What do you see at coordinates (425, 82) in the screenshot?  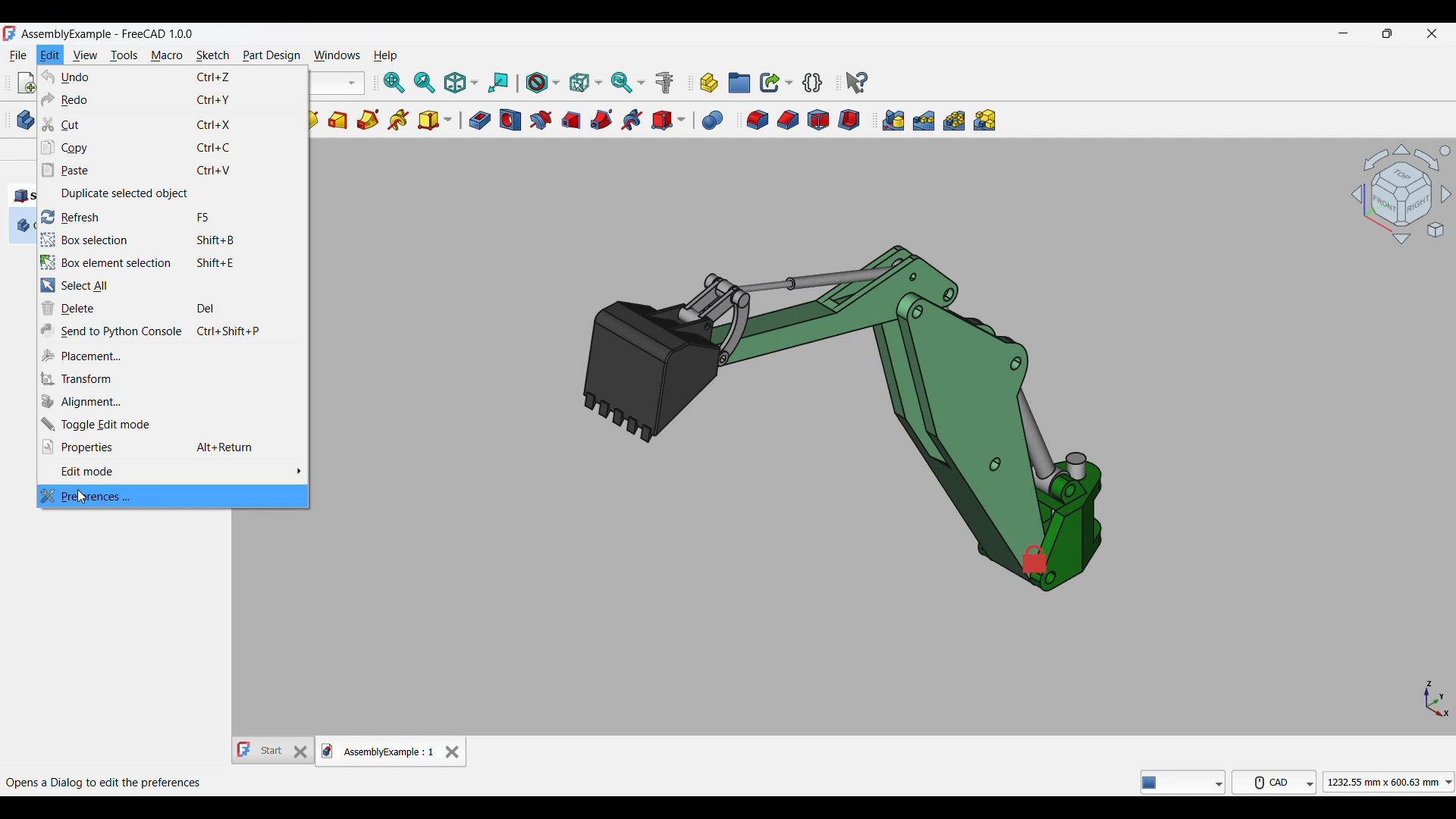 I see `Fit selection` at bounding box center [425, 82].